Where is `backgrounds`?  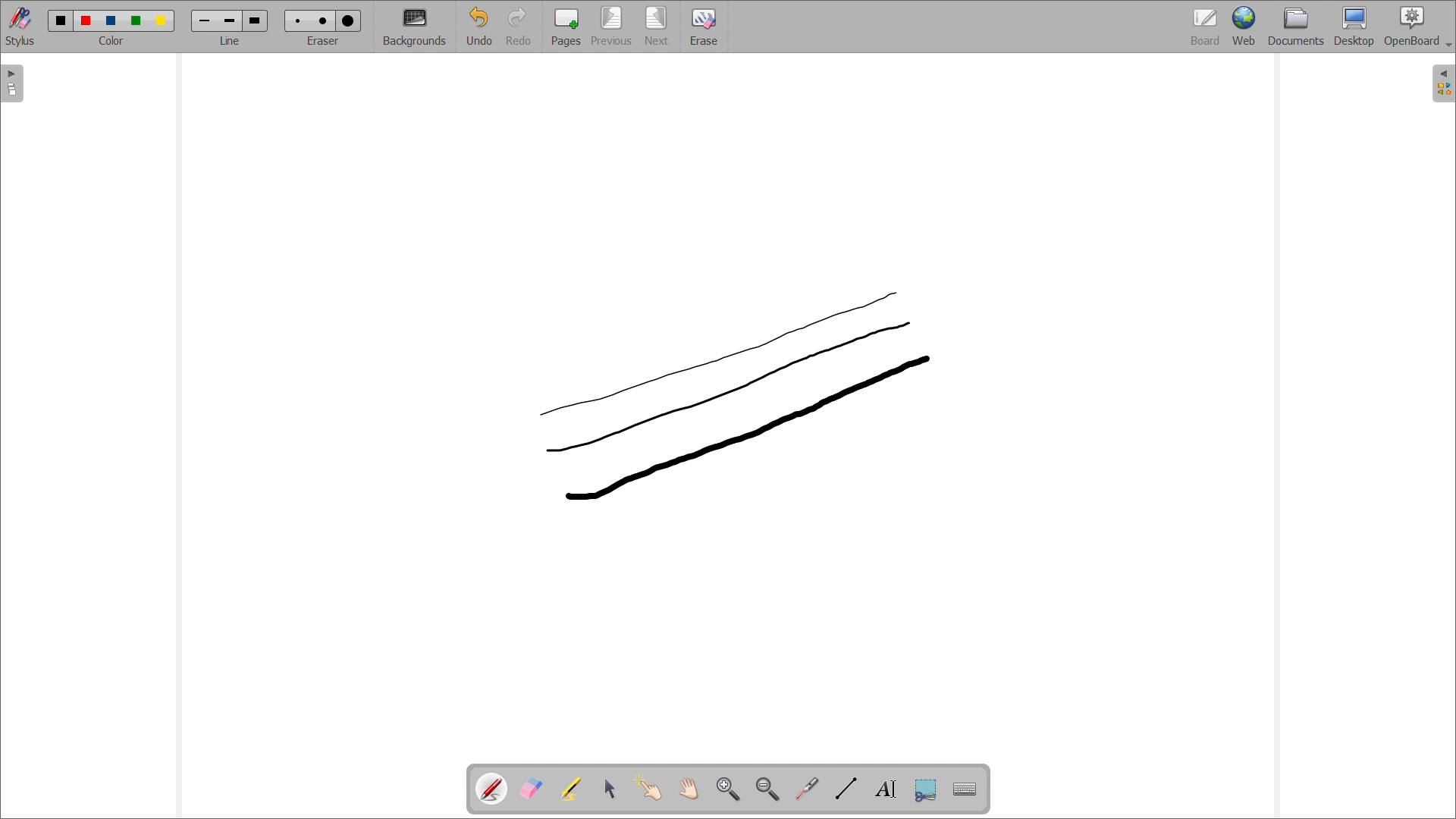 backgrounds is located at coordinates (415, 26).